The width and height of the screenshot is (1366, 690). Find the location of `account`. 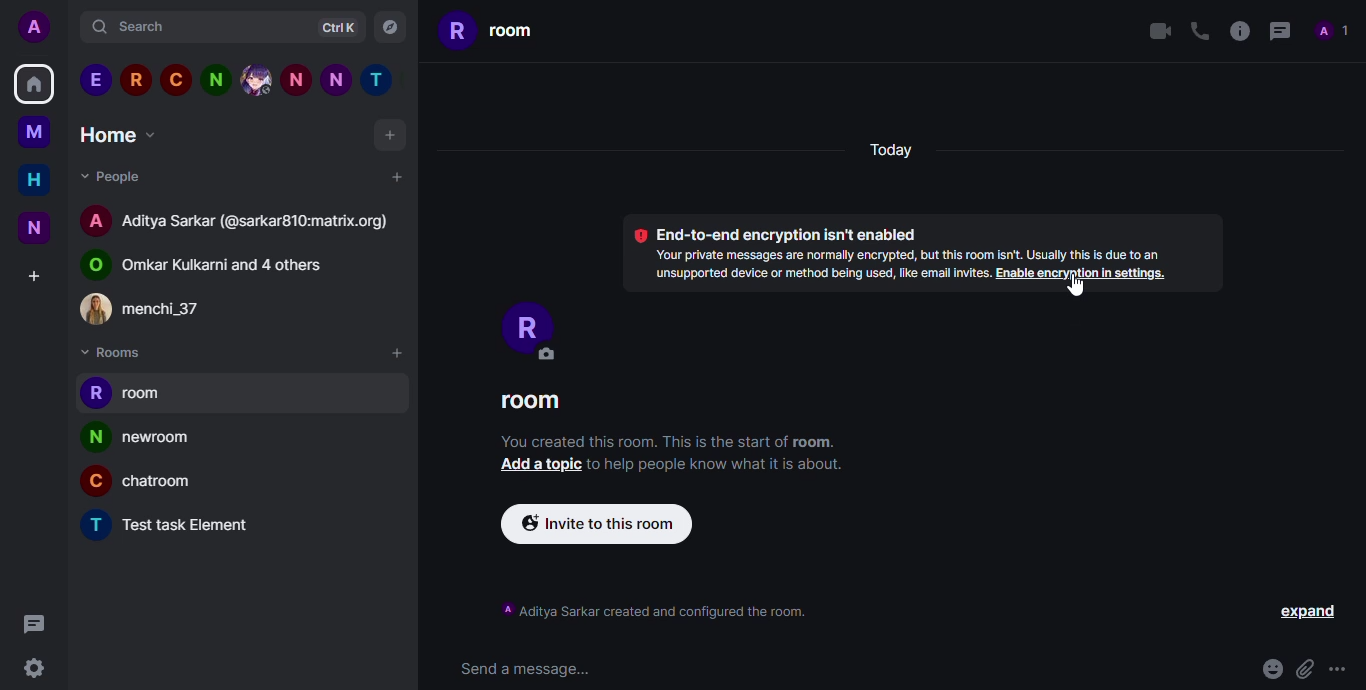

account is located at coordinates (33, 27).